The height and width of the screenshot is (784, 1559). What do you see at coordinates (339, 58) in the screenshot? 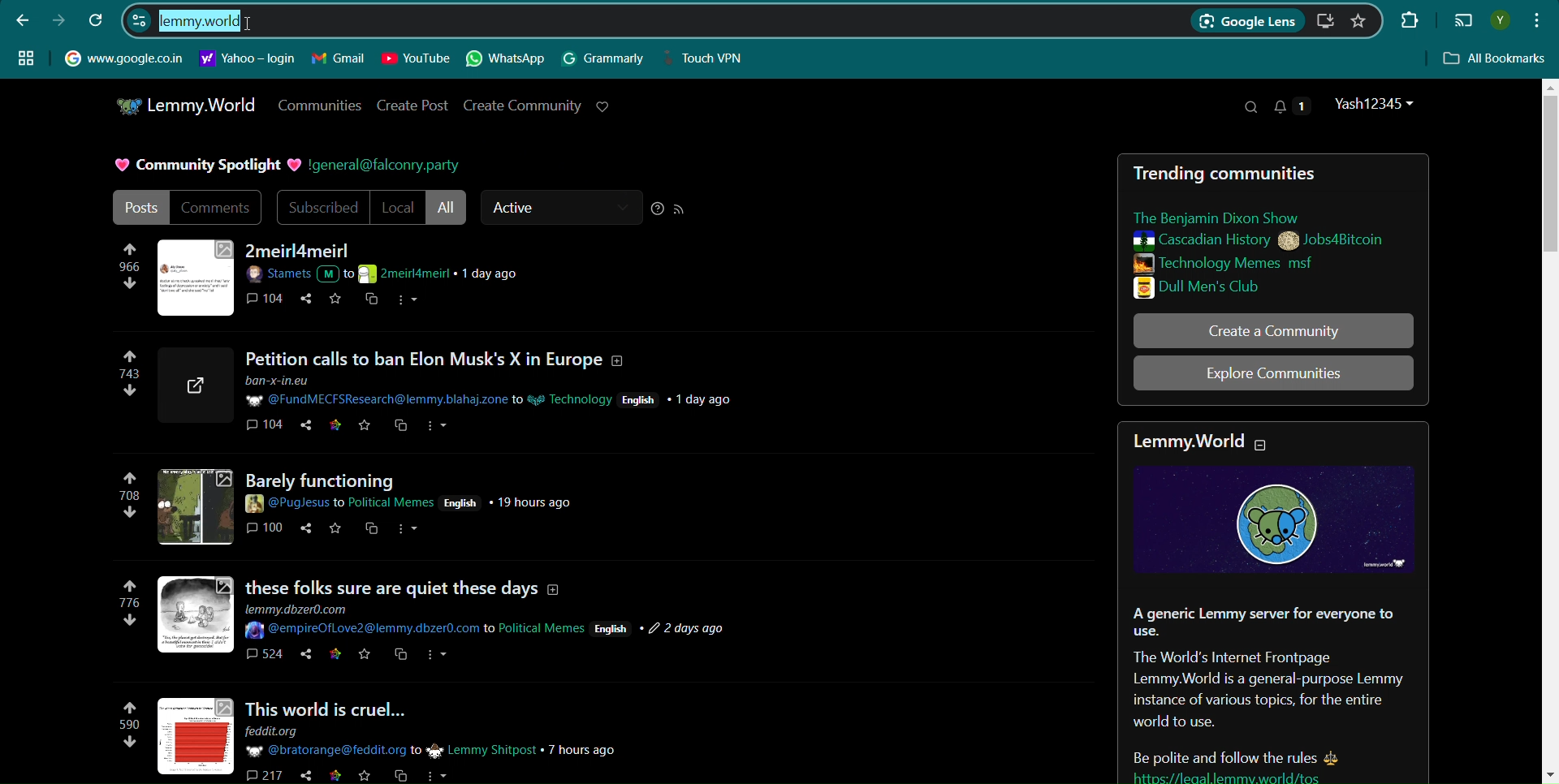
I see `Gmail` at bounding box center [339, 58].